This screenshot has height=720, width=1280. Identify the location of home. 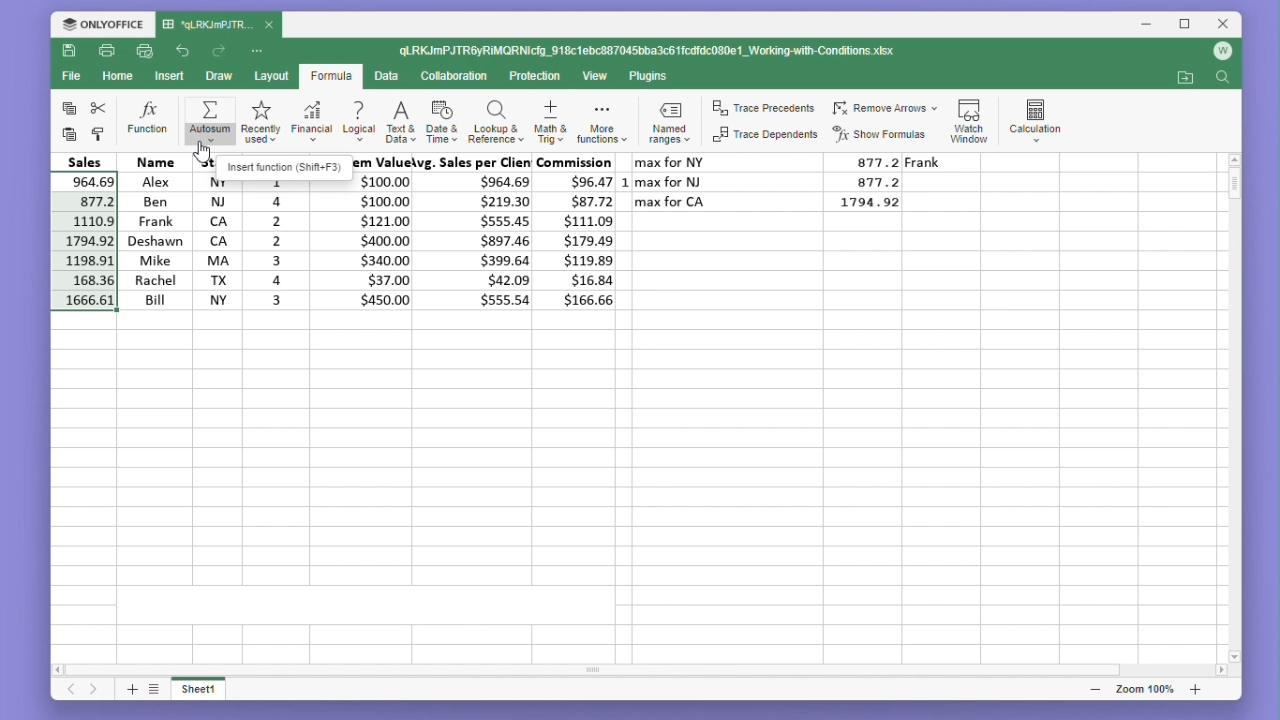
(114, 75).